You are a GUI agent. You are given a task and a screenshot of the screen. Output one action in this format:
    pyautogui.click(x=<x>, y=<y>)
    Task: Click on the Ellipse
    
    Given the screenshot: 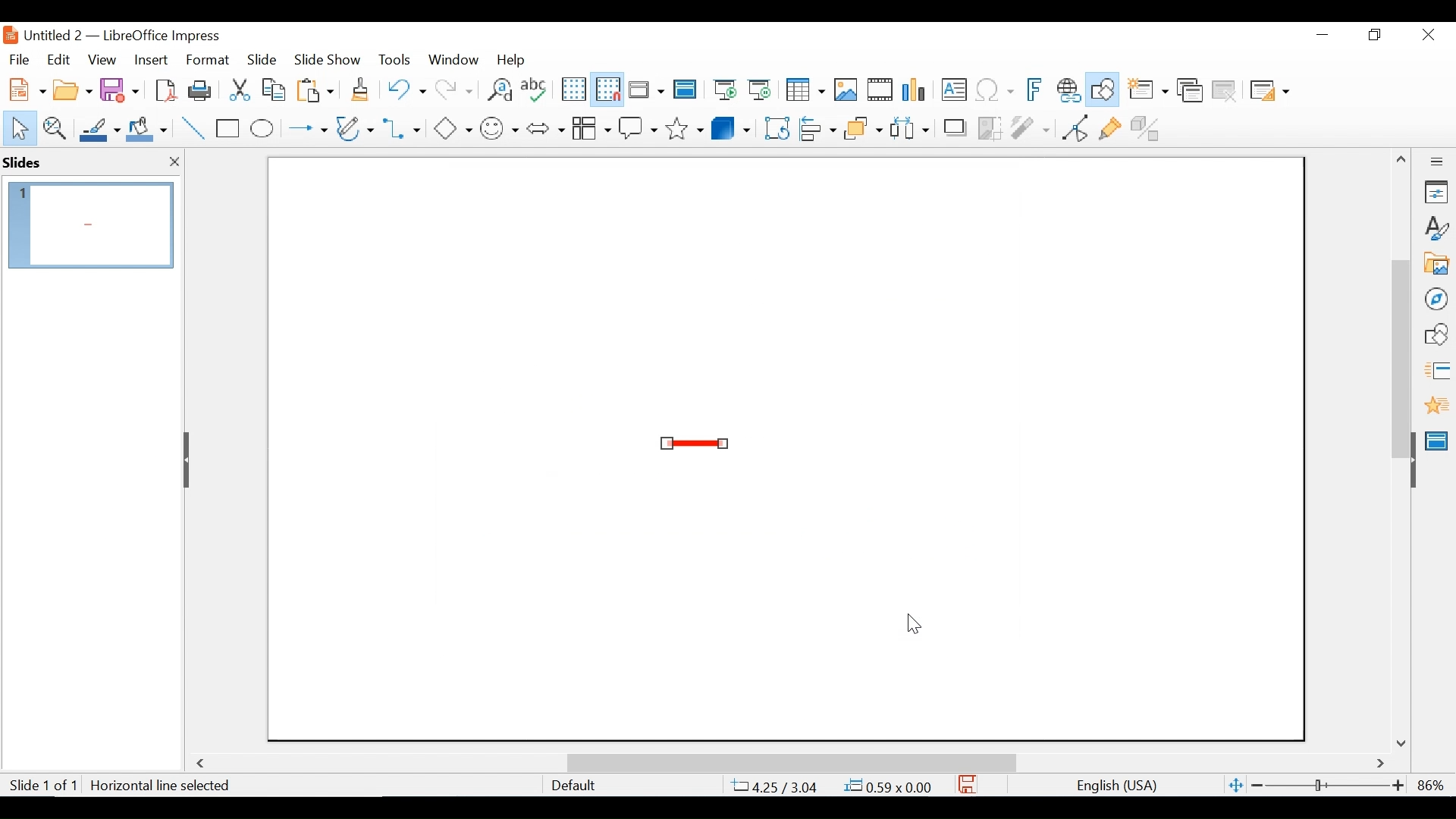 What is the action you would take?
    pyautogui.click(x=262, y=129)
    